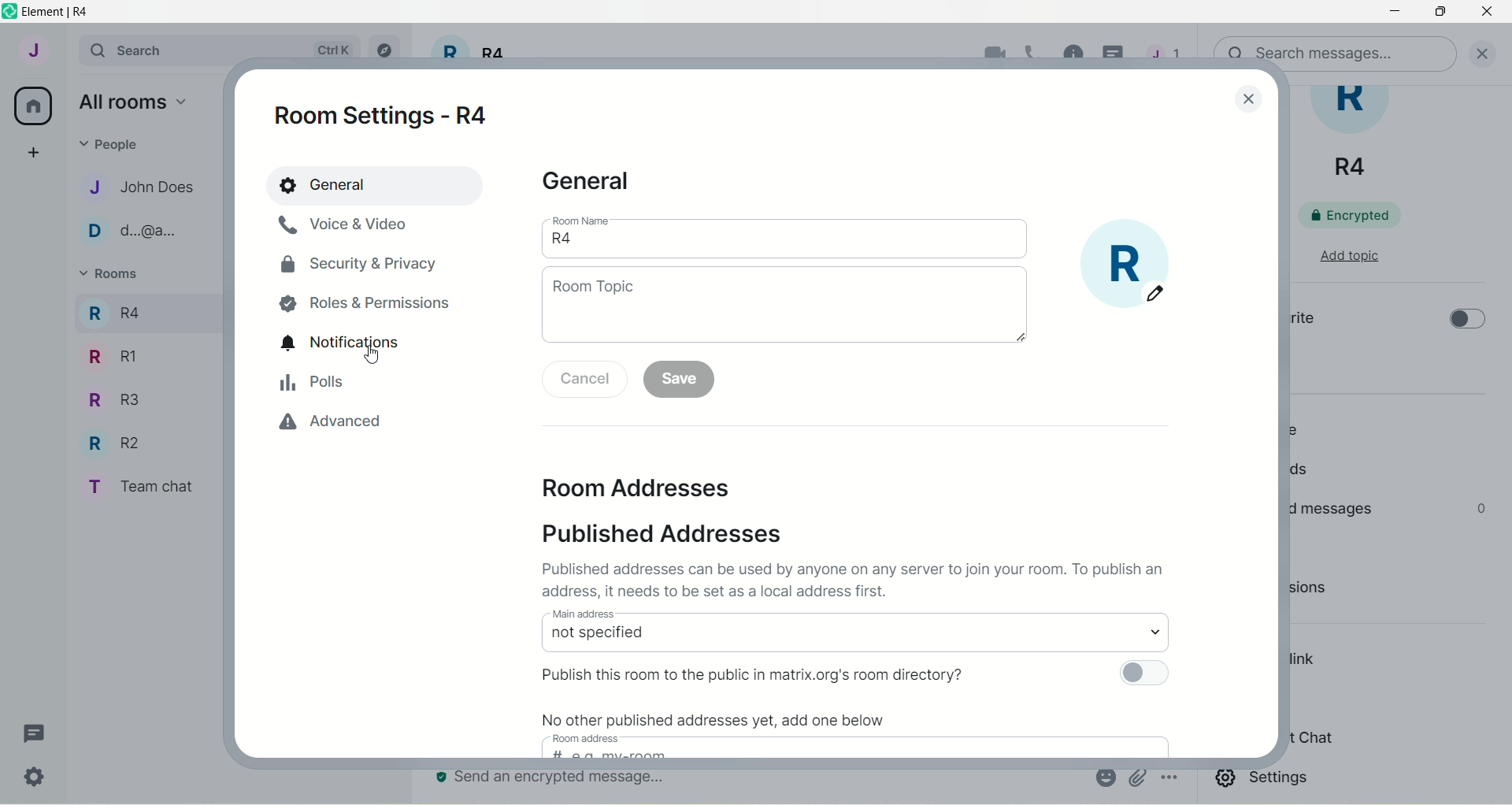 The height and width of the screenshot is (805, 1512). Describe the element at coordinates (132, 101) in the screenshot. I see `all rooms` at that location.